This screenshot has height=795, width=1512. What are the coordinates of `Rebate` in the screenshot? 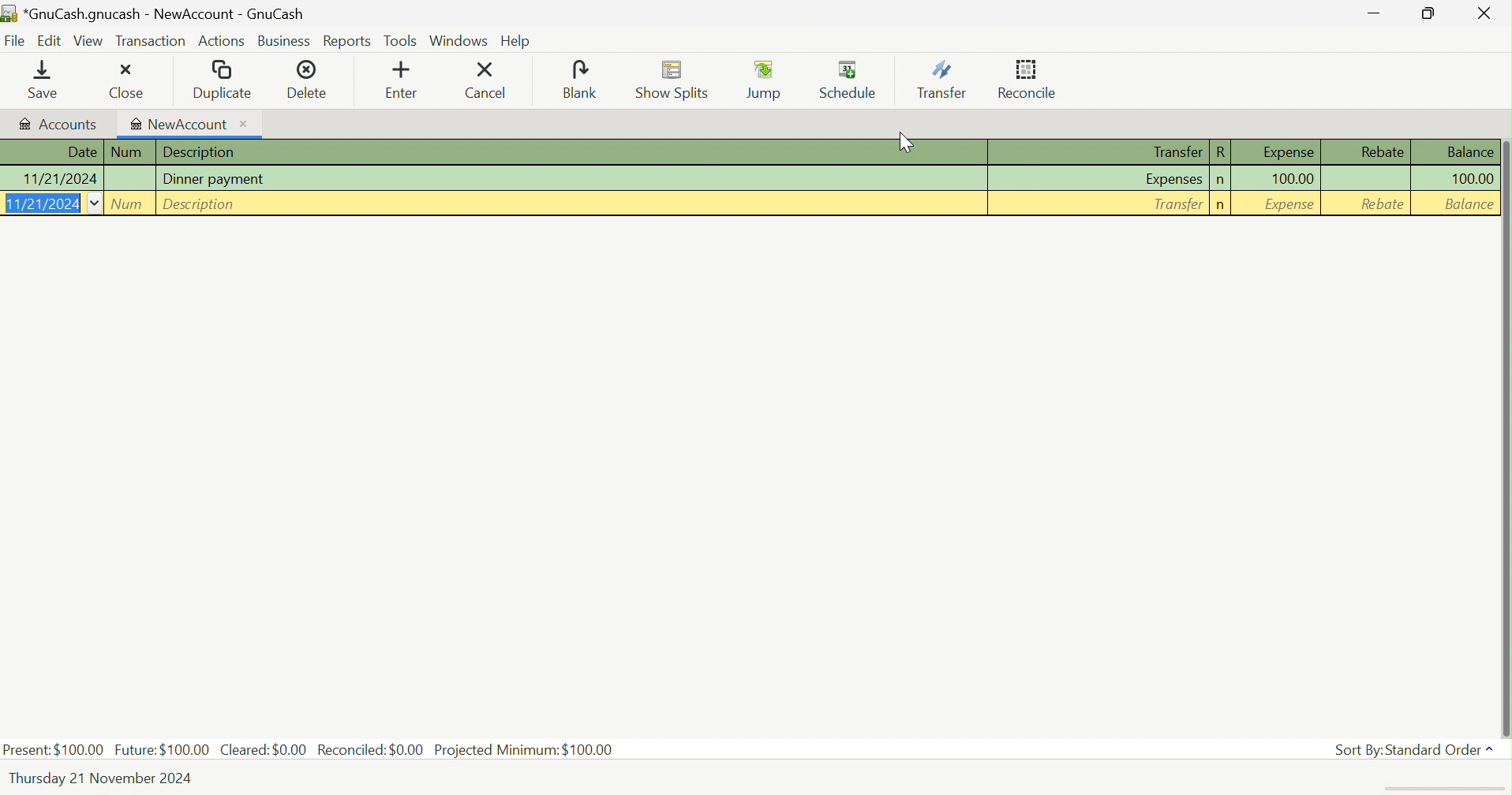 It's located at (1383, 151).